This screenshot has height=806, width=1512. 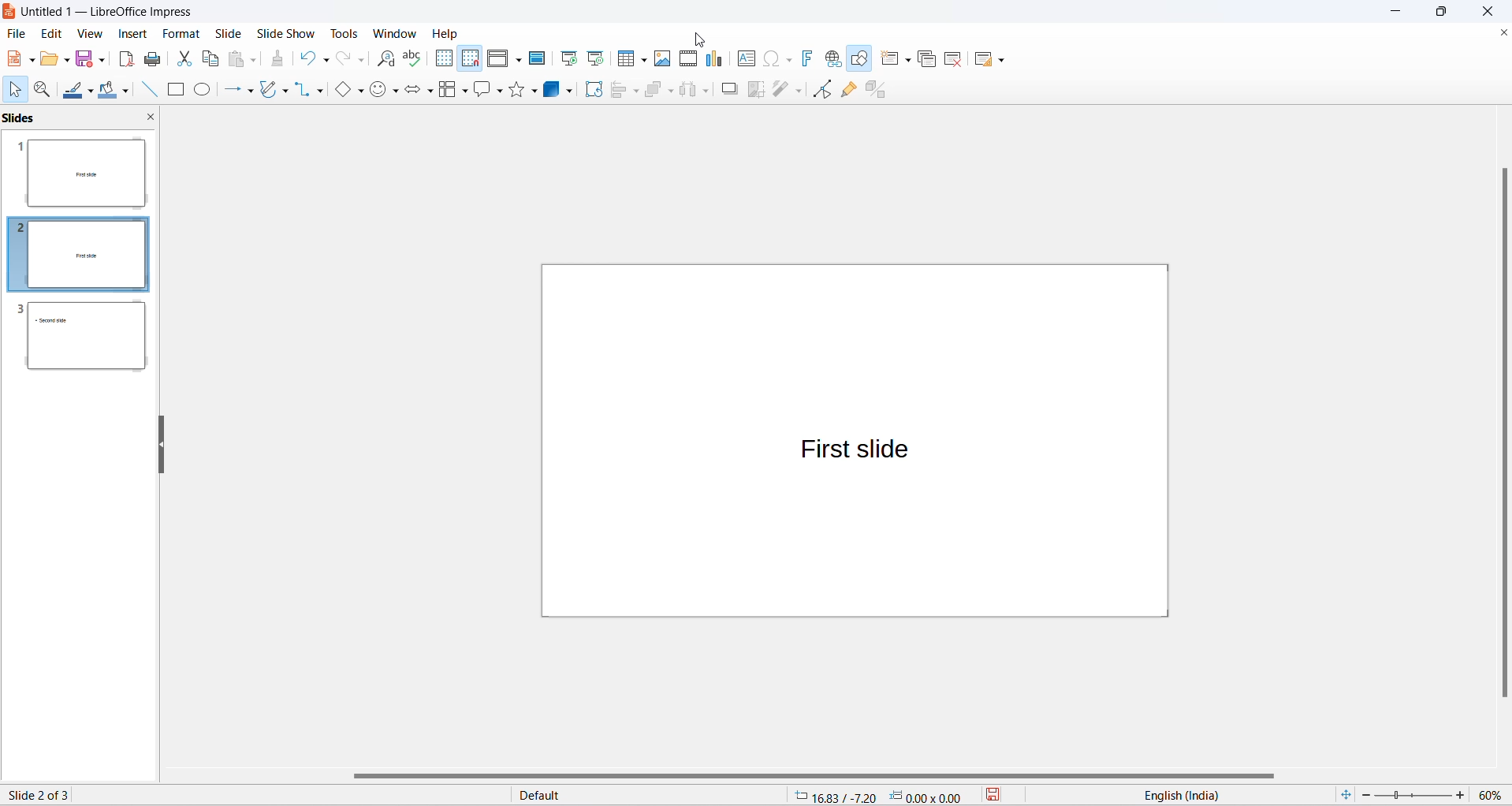 I want to click on star, so click(x=515, y=89).